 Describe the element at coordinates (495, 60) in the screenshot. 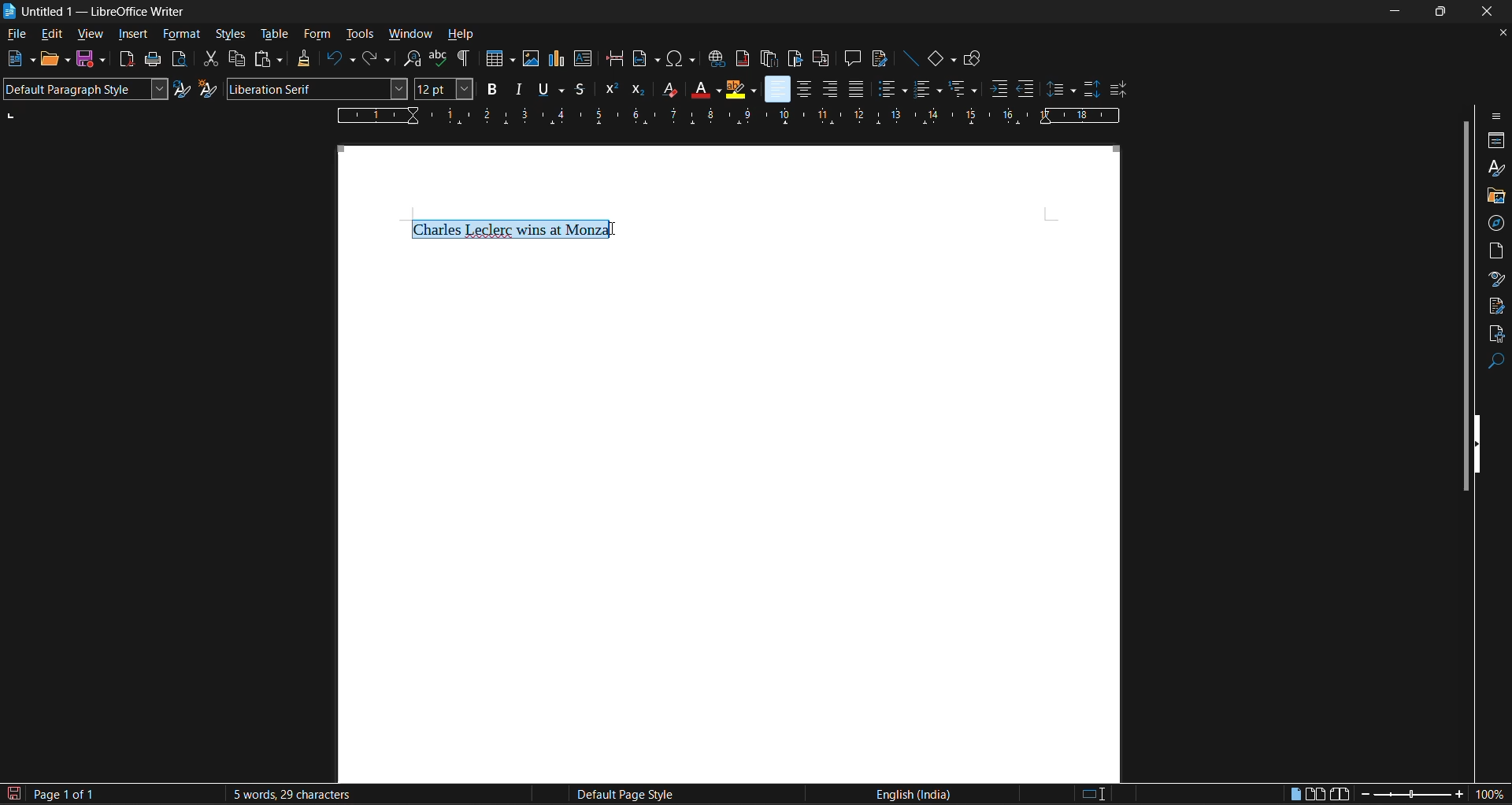

I see `insert table` at that location.